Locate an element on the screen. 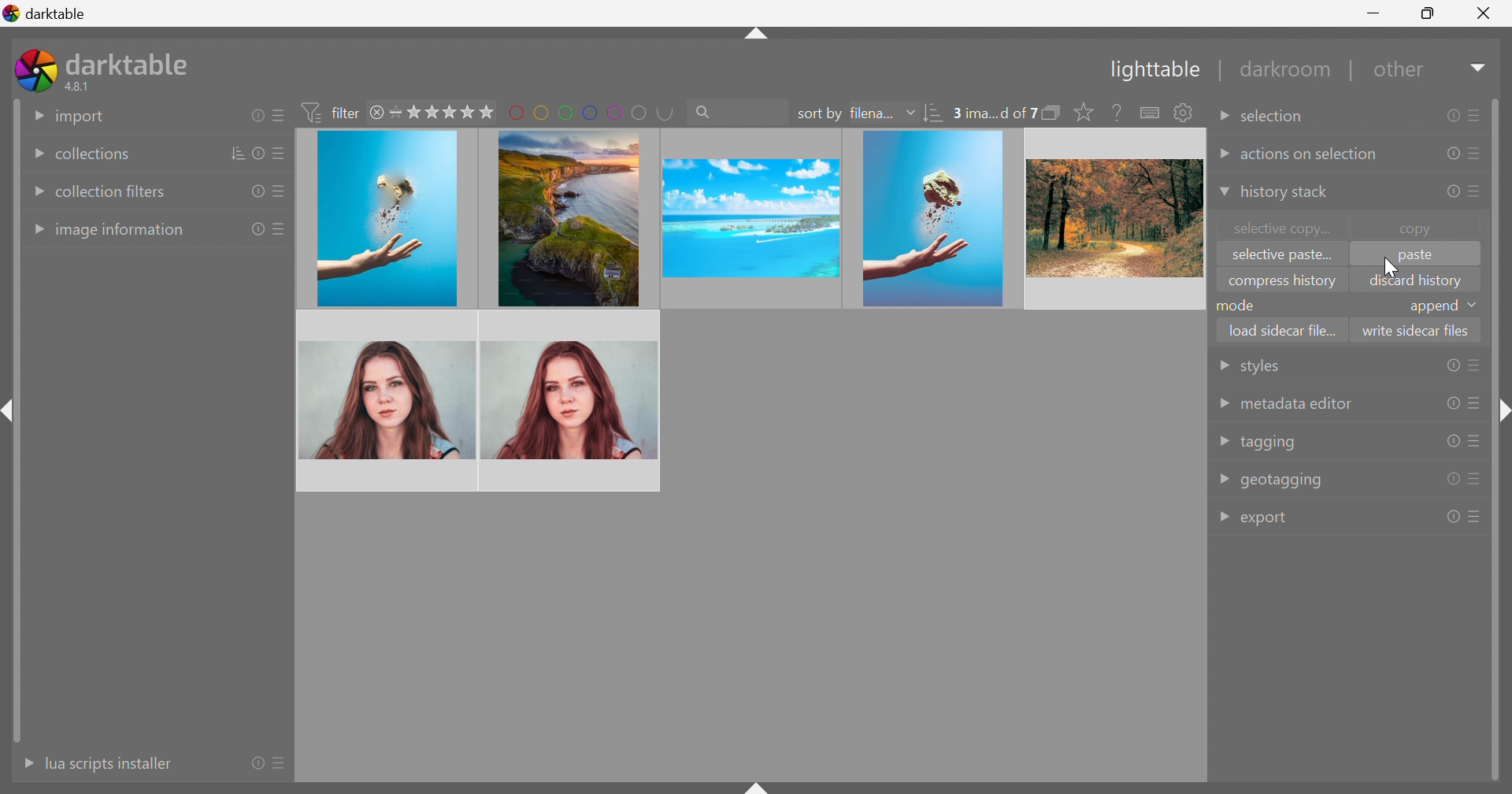 This screenshot has height=794, width=1512. reset is located at coordinates (258, 762).